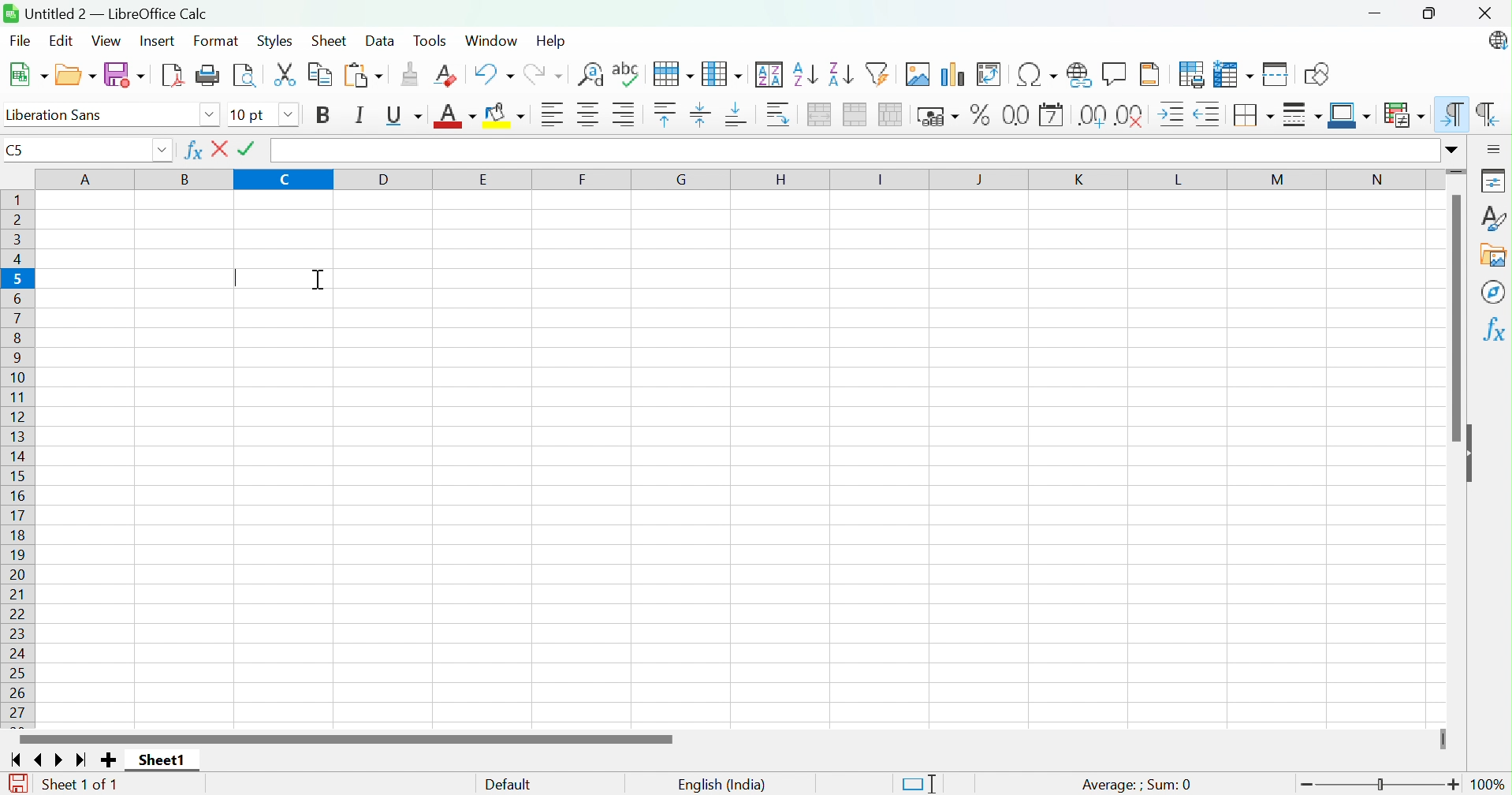 The width and height of the screenshot is (1512, 795). Describe the element at coordinates (1496, 256) in the screenshot. I see `Gallery` at that location.